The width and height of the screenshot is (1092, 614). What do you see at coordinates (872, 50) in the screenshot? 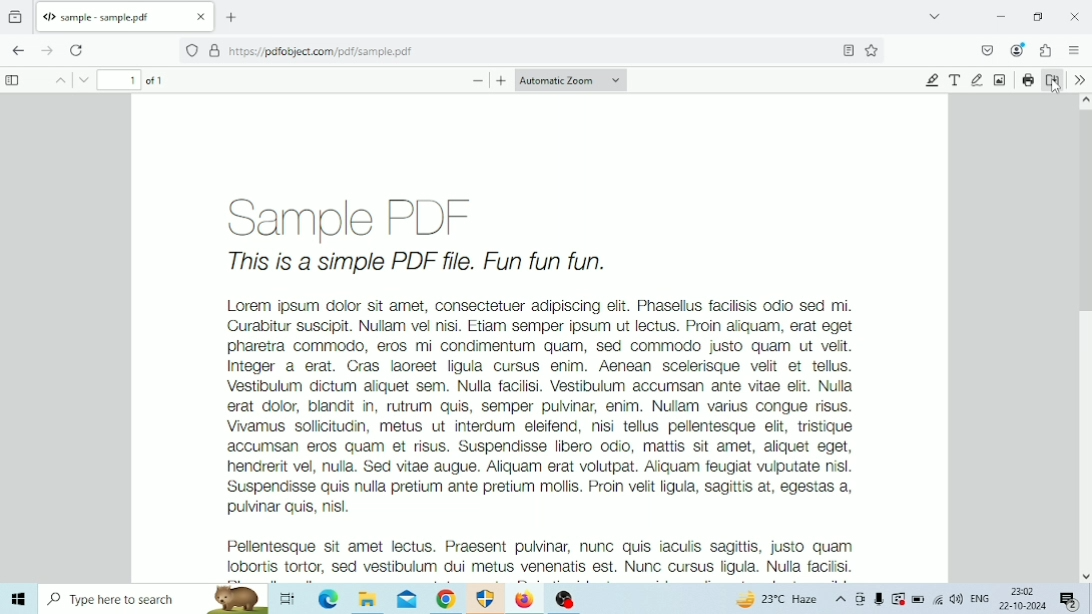
I see `Favorites` at bounding box center [872, 50].